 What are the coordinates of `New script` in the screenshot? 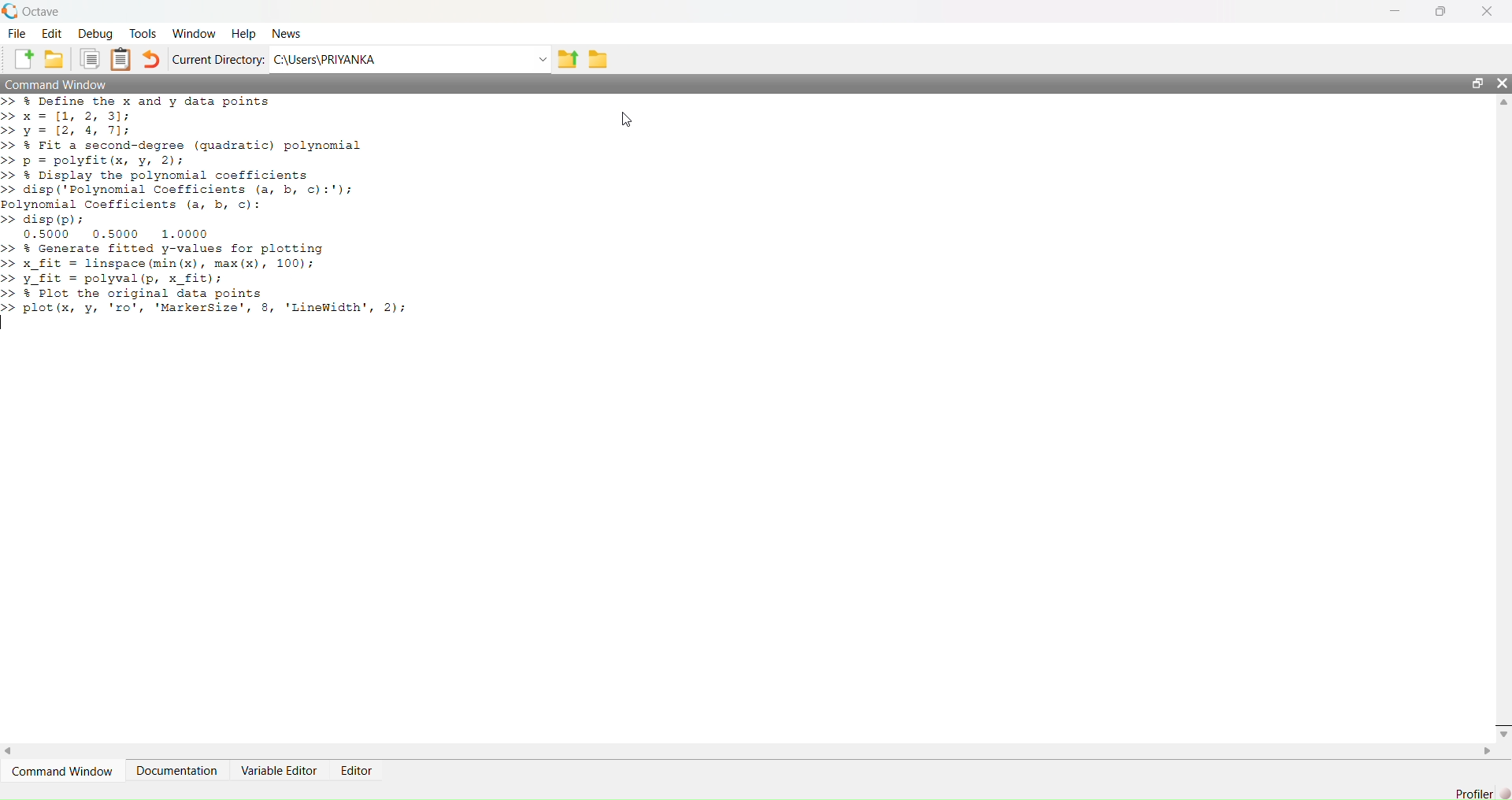 It's located at (24, 59).